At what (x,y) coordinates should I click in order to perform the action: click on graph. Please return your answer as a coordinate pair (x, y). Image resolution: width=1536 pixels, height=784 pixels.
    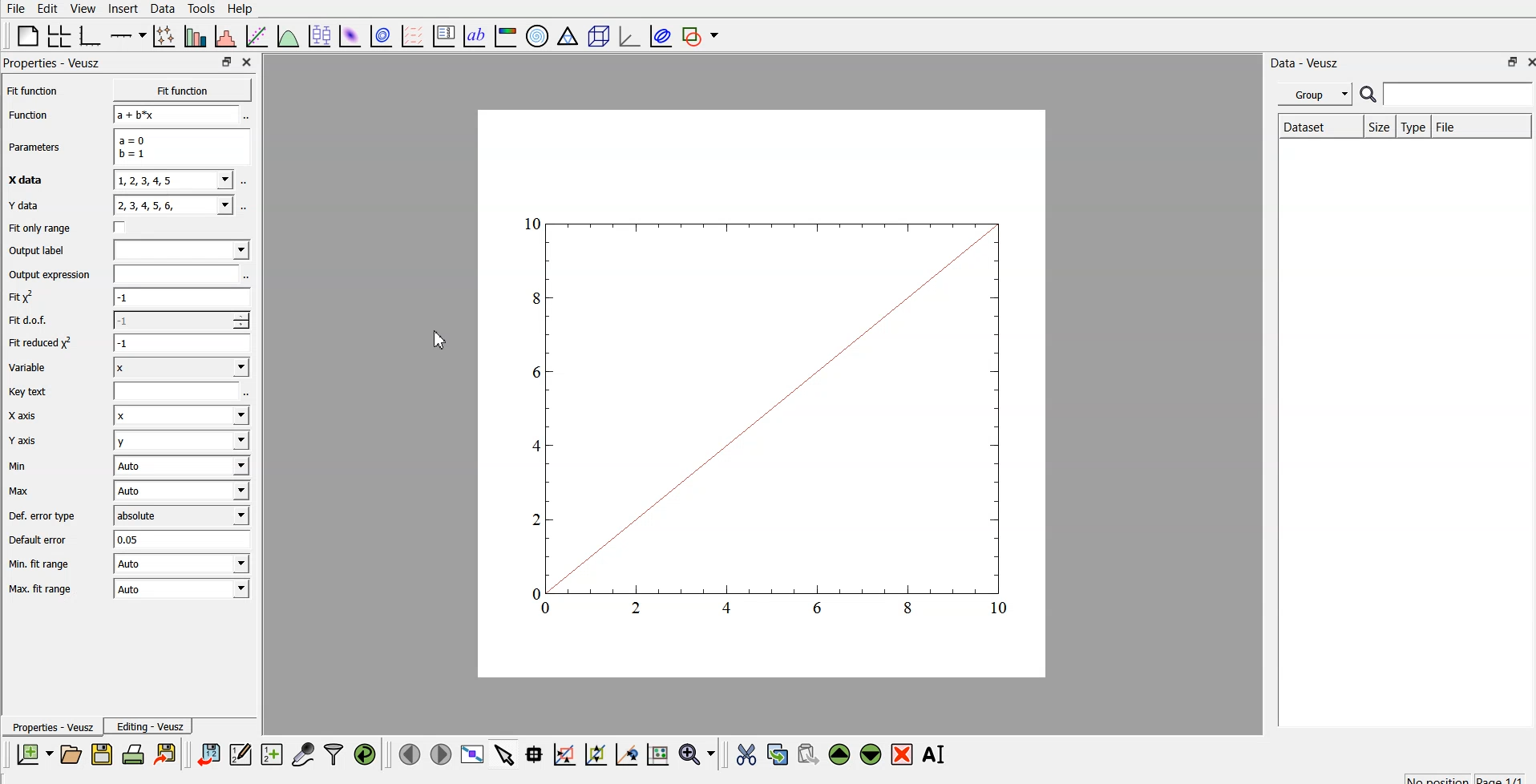
    Looking at the image, I should click on (766, 418).